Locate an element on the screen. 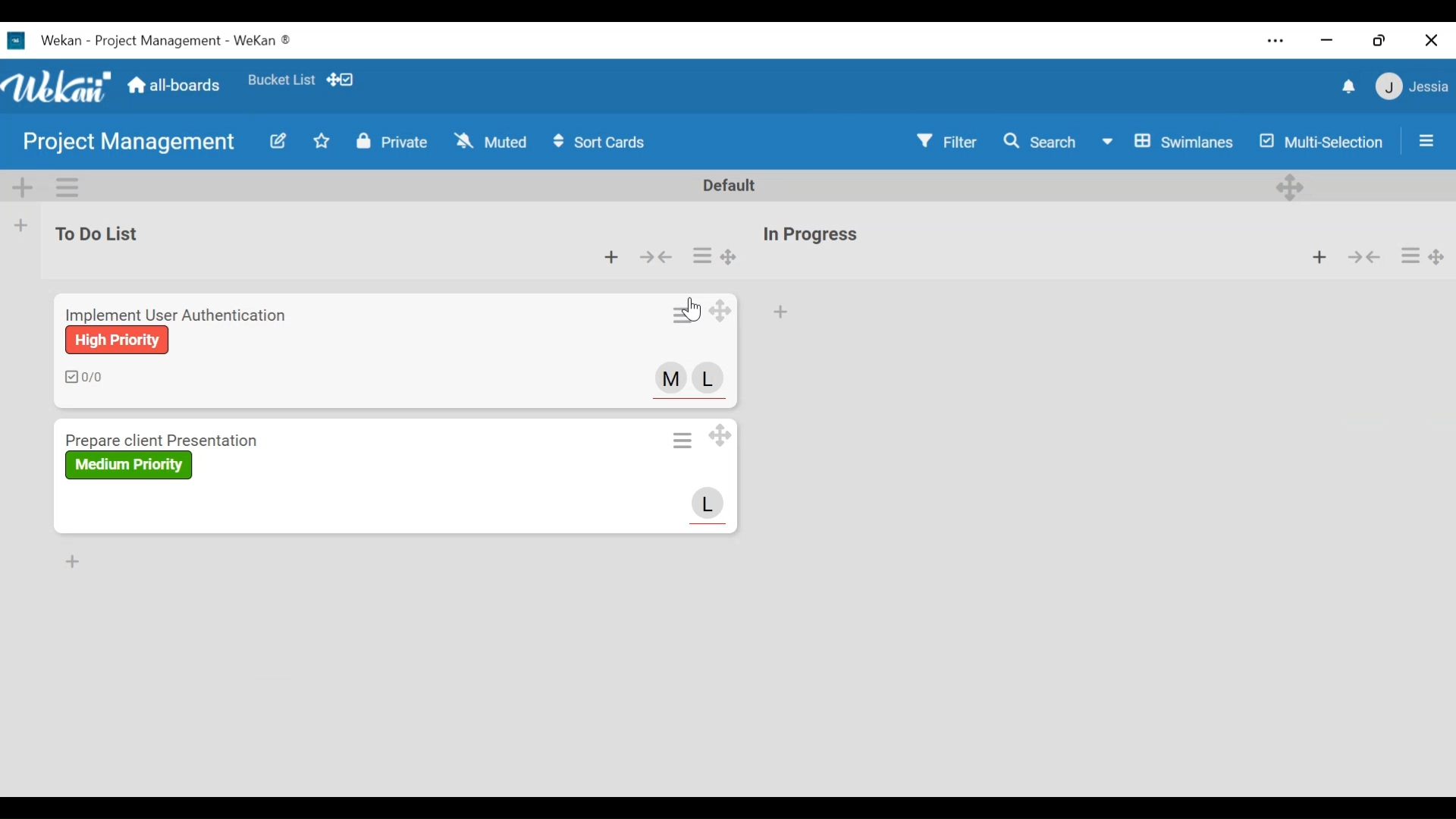 The height and width of the screenshot is (819, 1456). collapse is located at coordinates (657, 257).